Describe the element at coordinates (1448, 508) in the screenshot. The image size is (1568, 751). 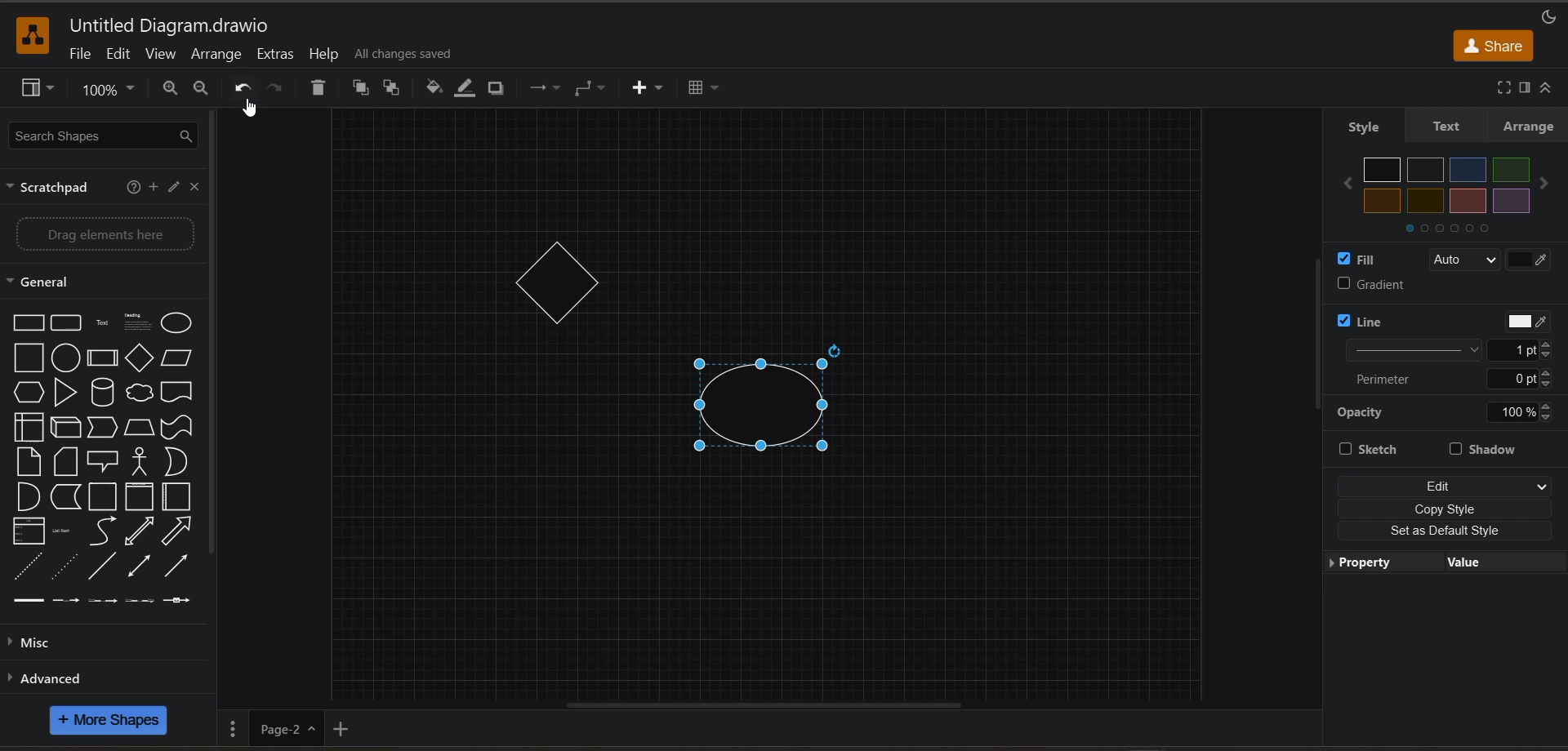
I see `copy style` at that location.